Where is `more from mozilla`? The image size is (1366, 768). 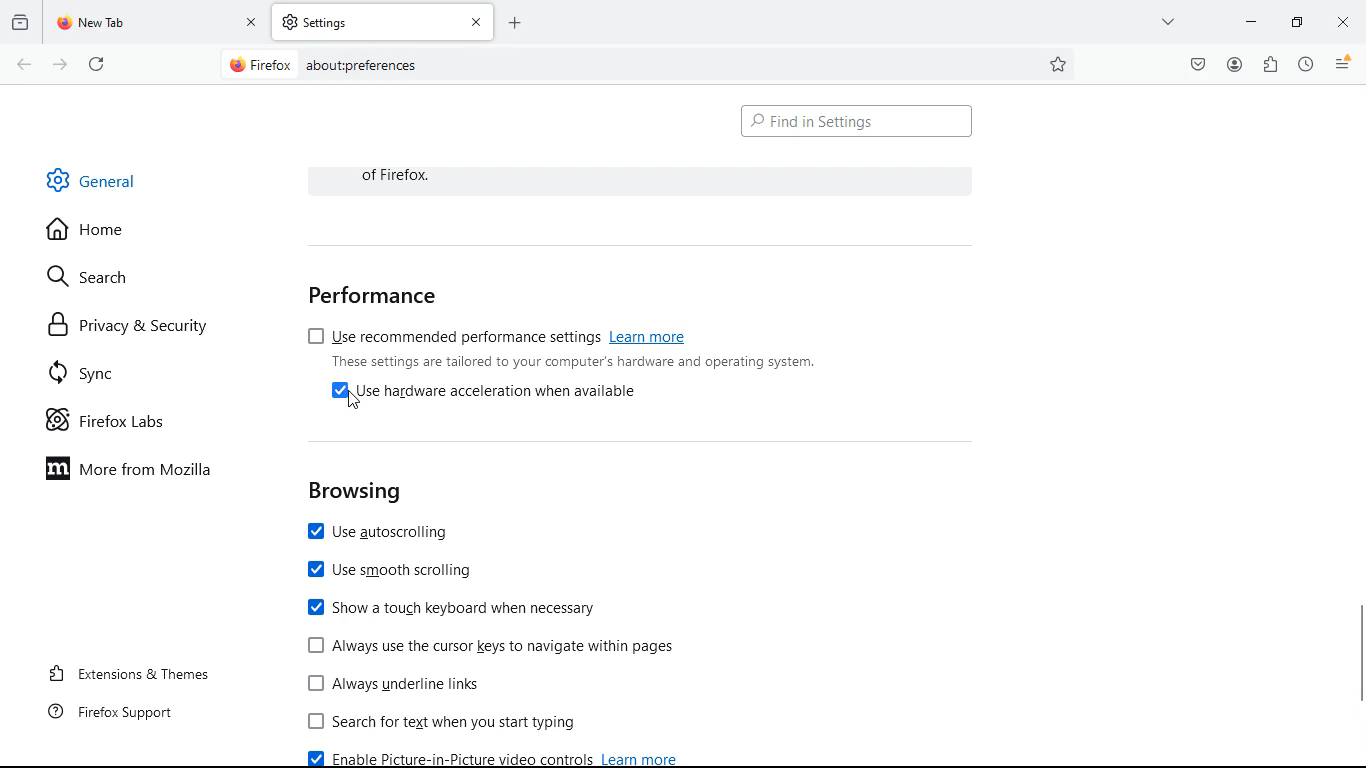
more from mozilla is located at coordinates (141, 472).